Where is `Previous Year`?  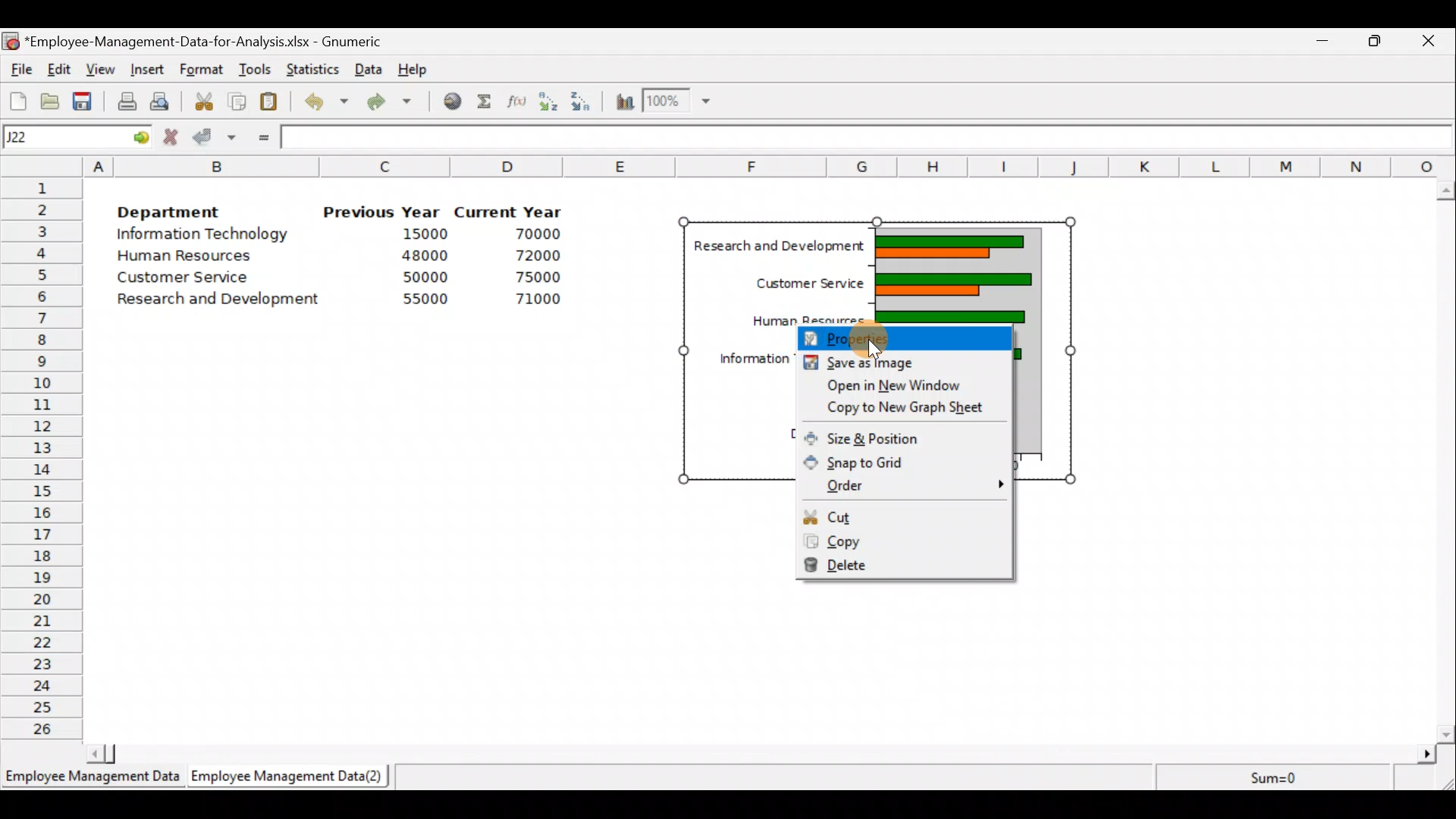 Previous Year is located at coordinates (383, 211).